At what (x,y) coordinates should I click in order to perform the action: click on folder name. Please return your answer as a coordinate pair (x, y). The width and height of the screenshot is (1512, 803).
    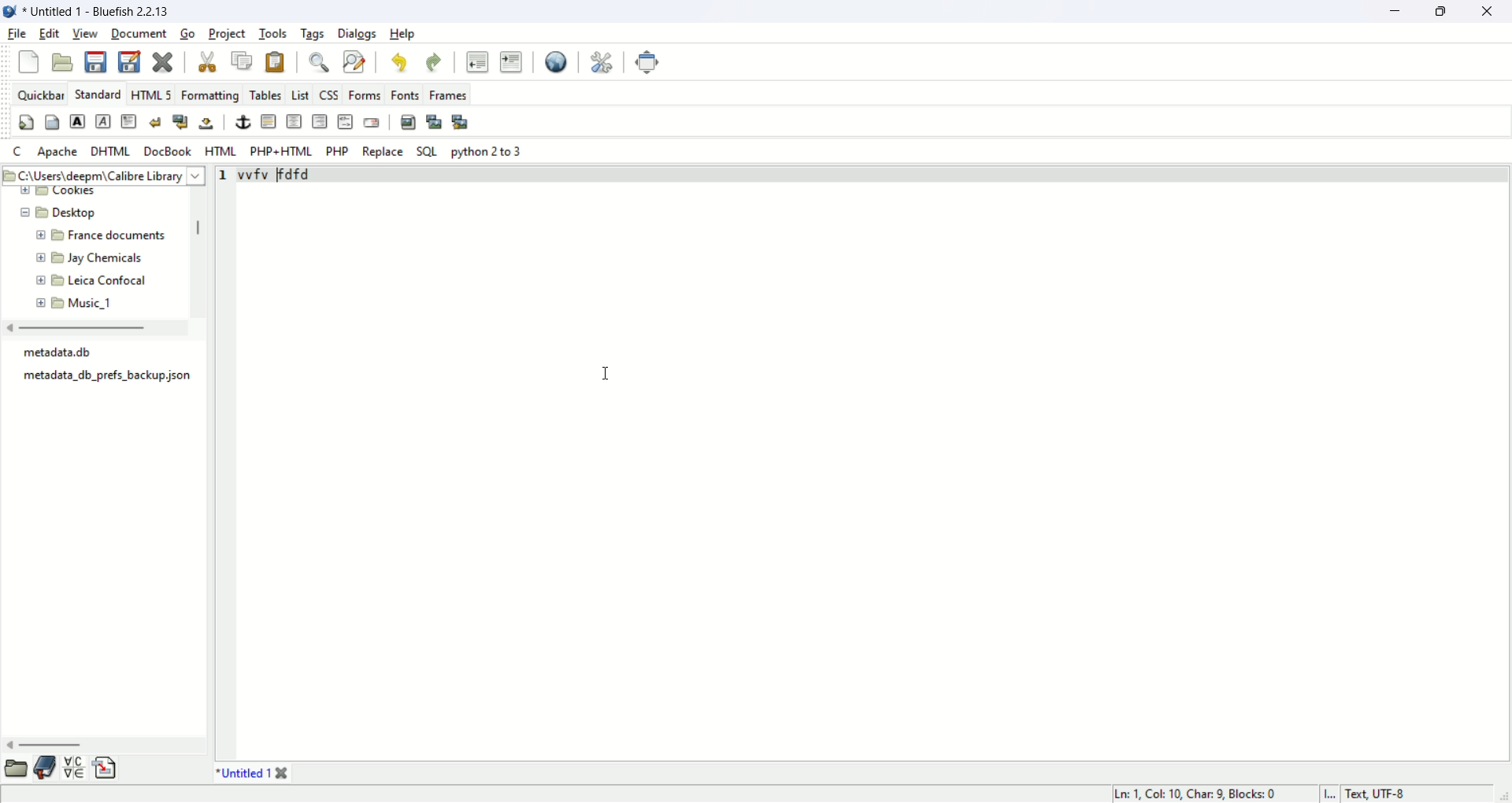
    Looking at the image, I should click on (103, 257).